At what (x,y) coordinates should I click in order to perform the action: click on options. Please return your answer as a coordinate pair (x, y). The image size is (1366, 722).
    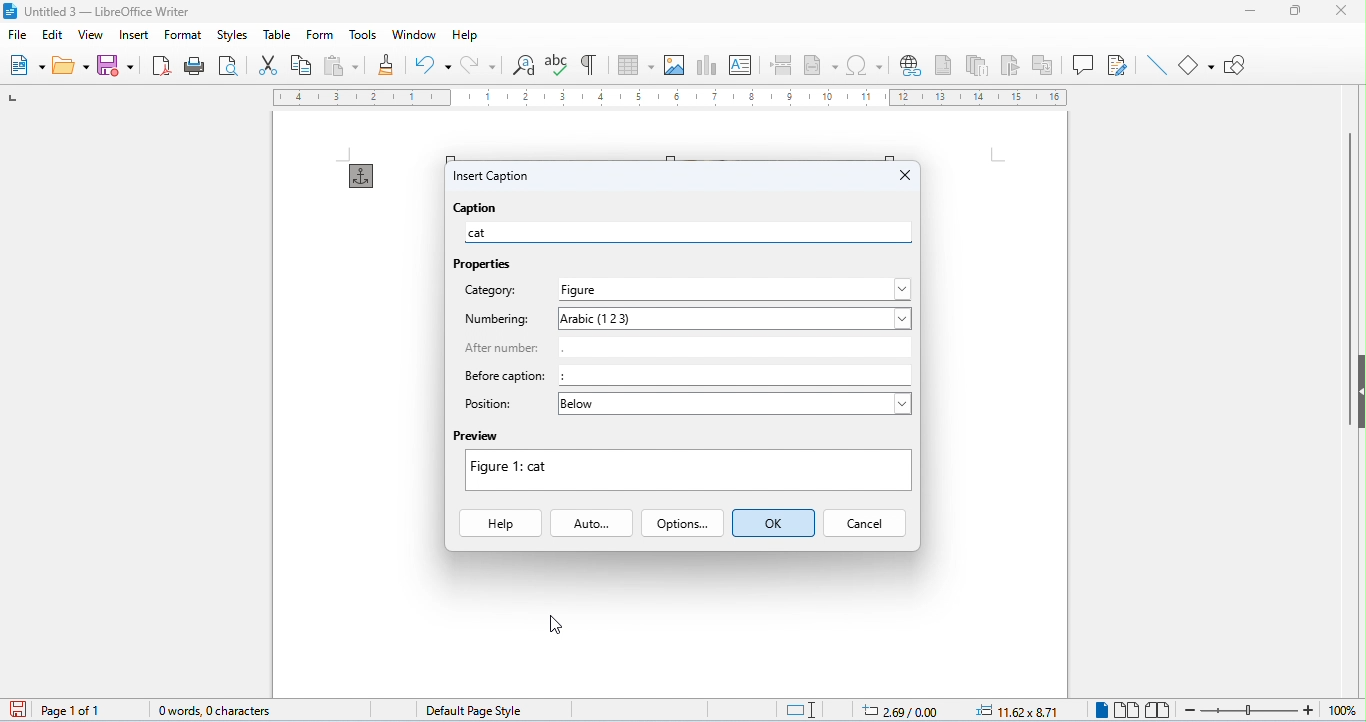
    Looking at the image, I should click on (684, 522).